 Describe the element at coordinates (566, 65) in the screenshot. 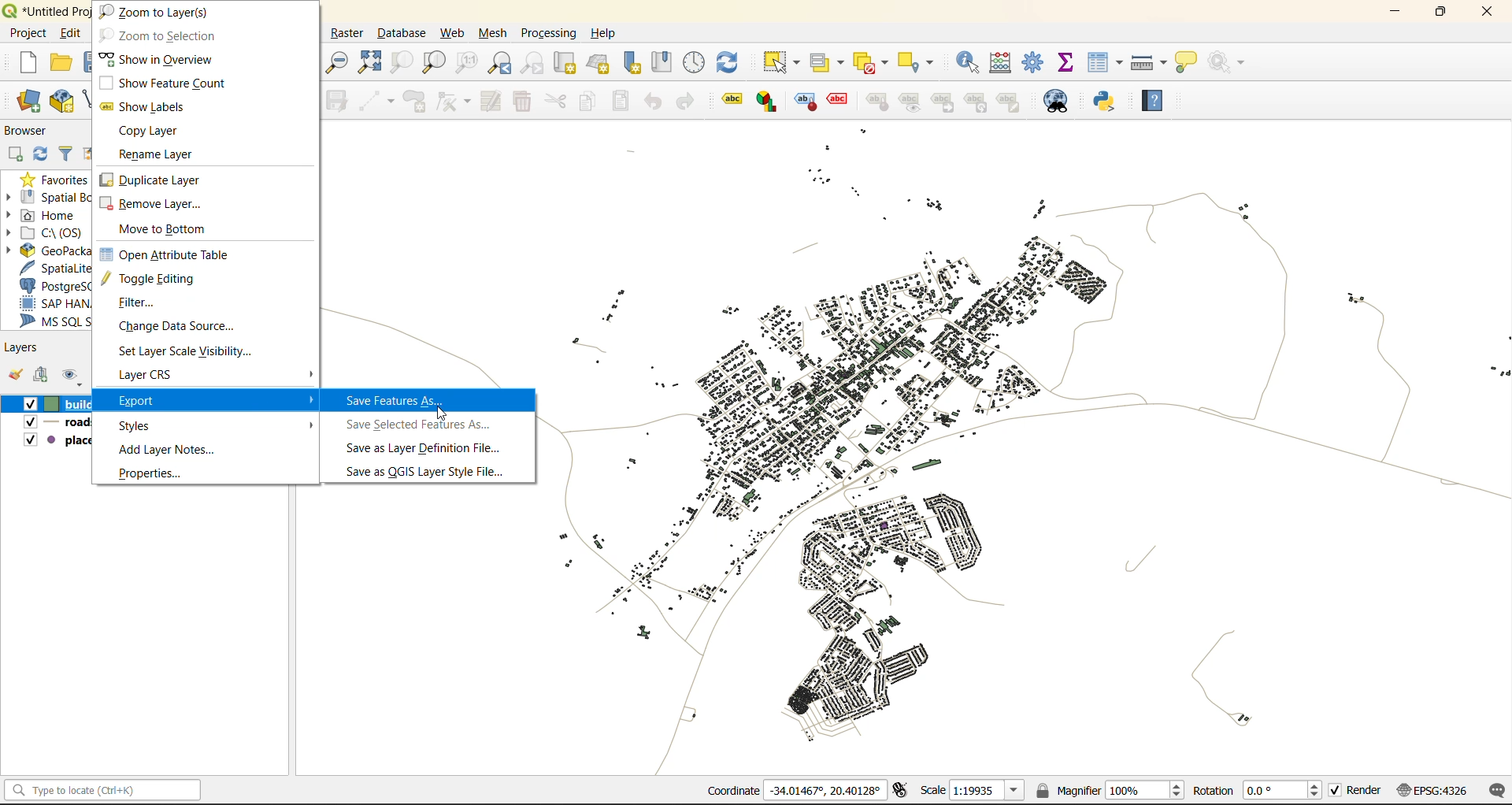

I see `new map view` at that location.